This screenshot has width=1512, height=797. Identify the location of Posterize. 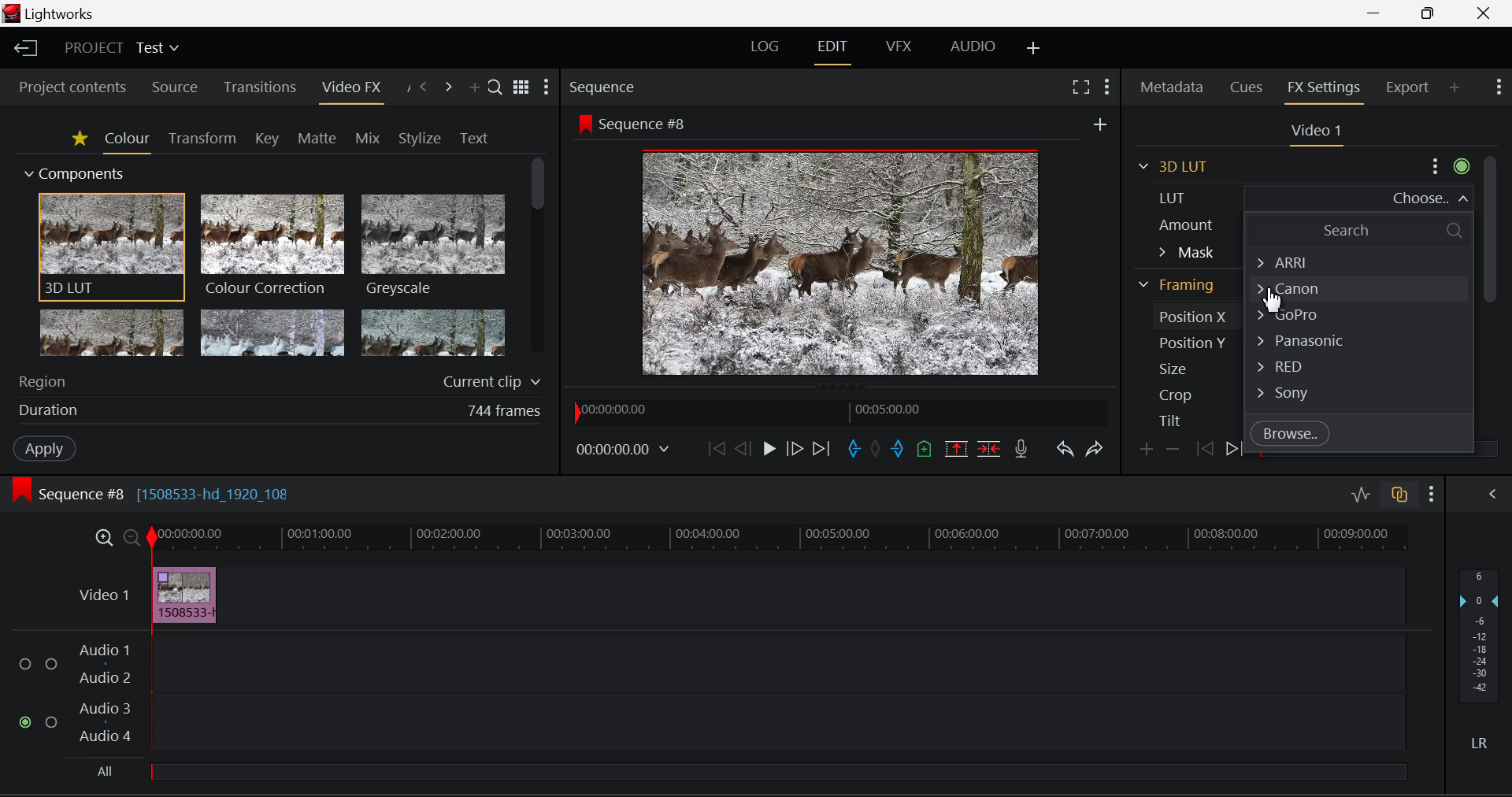
(434, 334).